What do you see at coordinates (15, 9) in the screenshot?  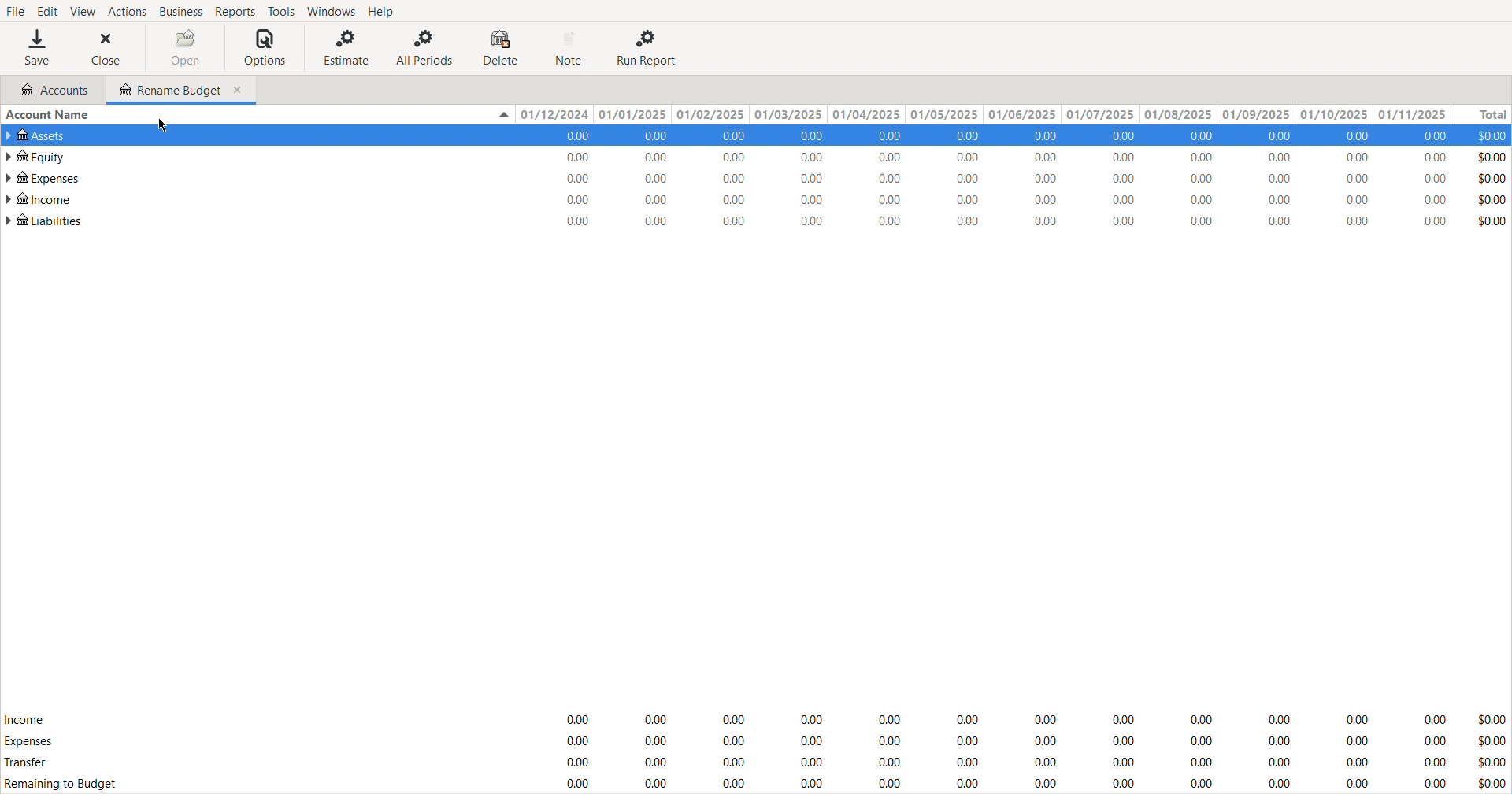 I see `File` at bounding box center [15, 9].